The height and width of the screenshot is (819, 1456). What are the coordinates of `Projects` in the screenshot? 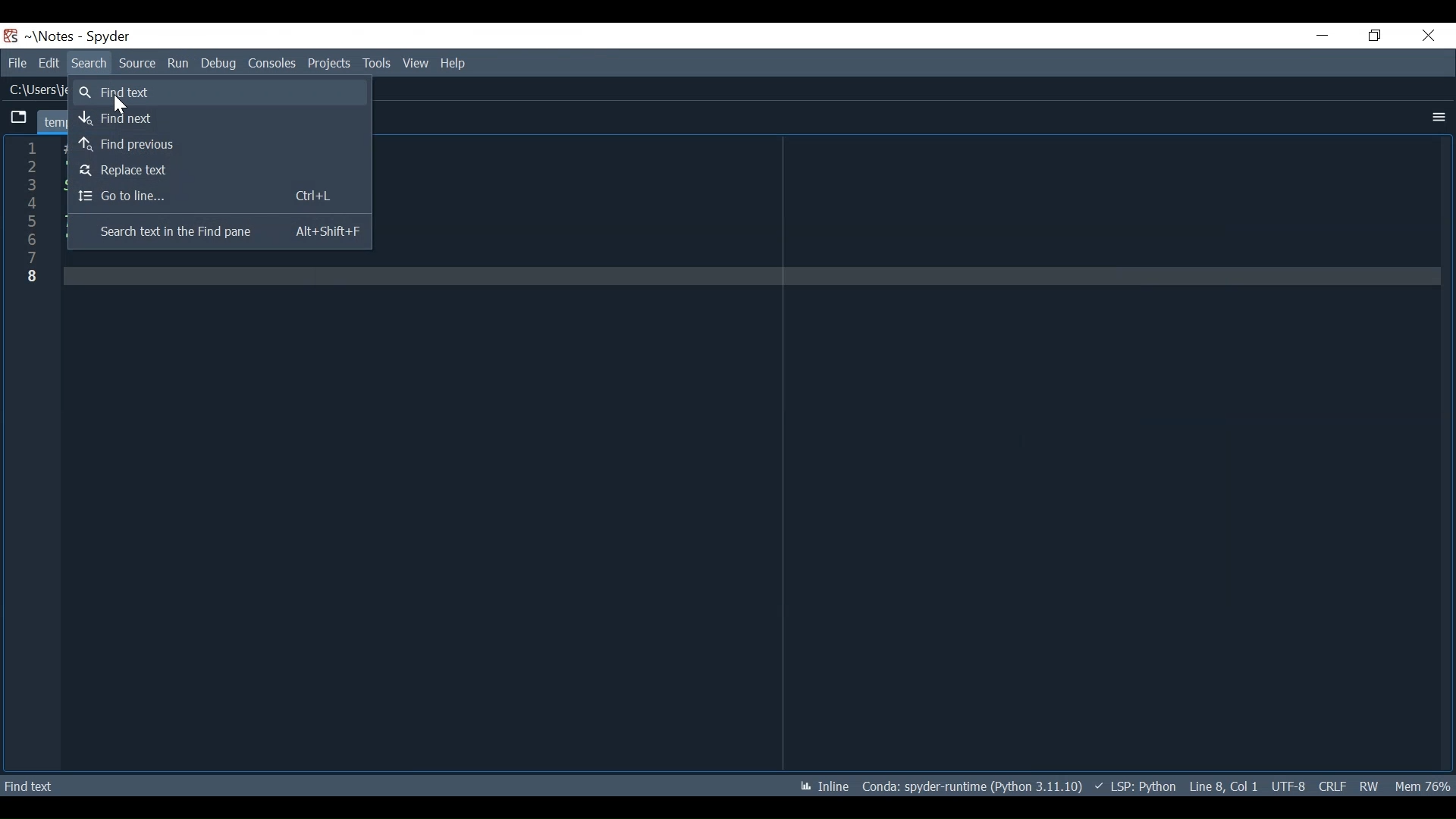 It's located at (329, 64).